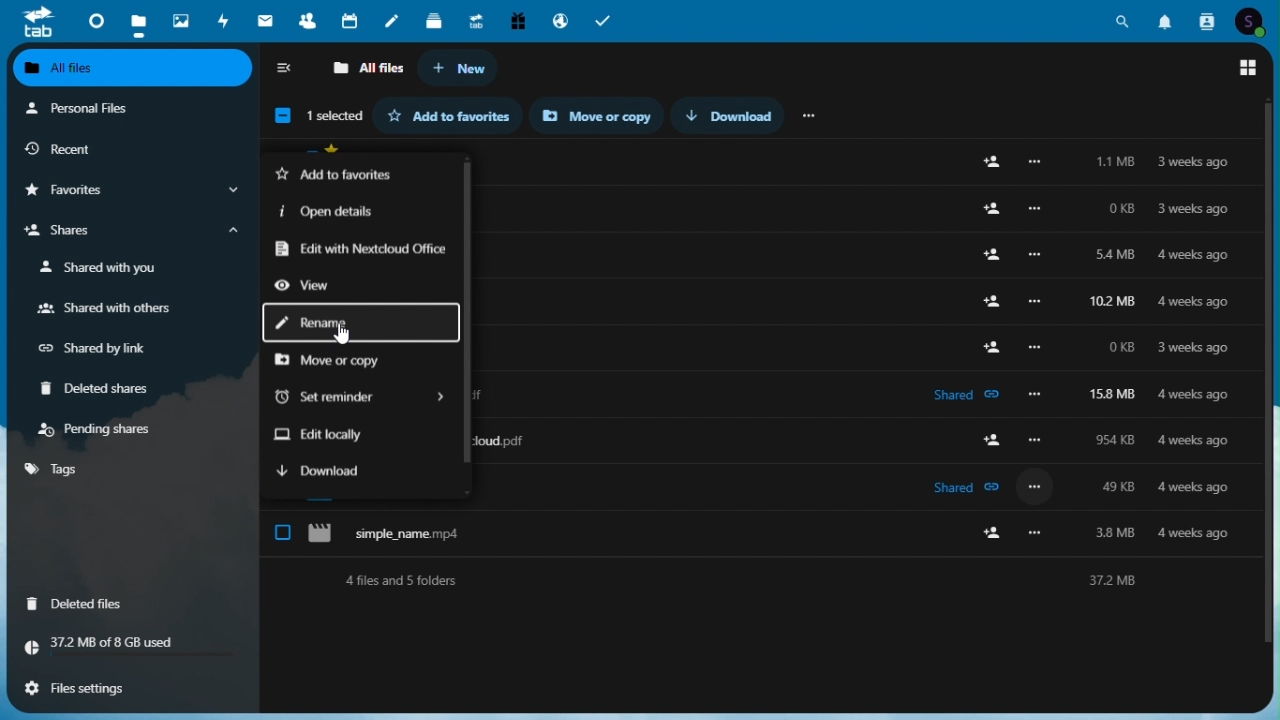 The image size is (1280, 720). Describe the element at coordinates (1249, 68) in the screenshot. I see `switch to grid view` at that location.